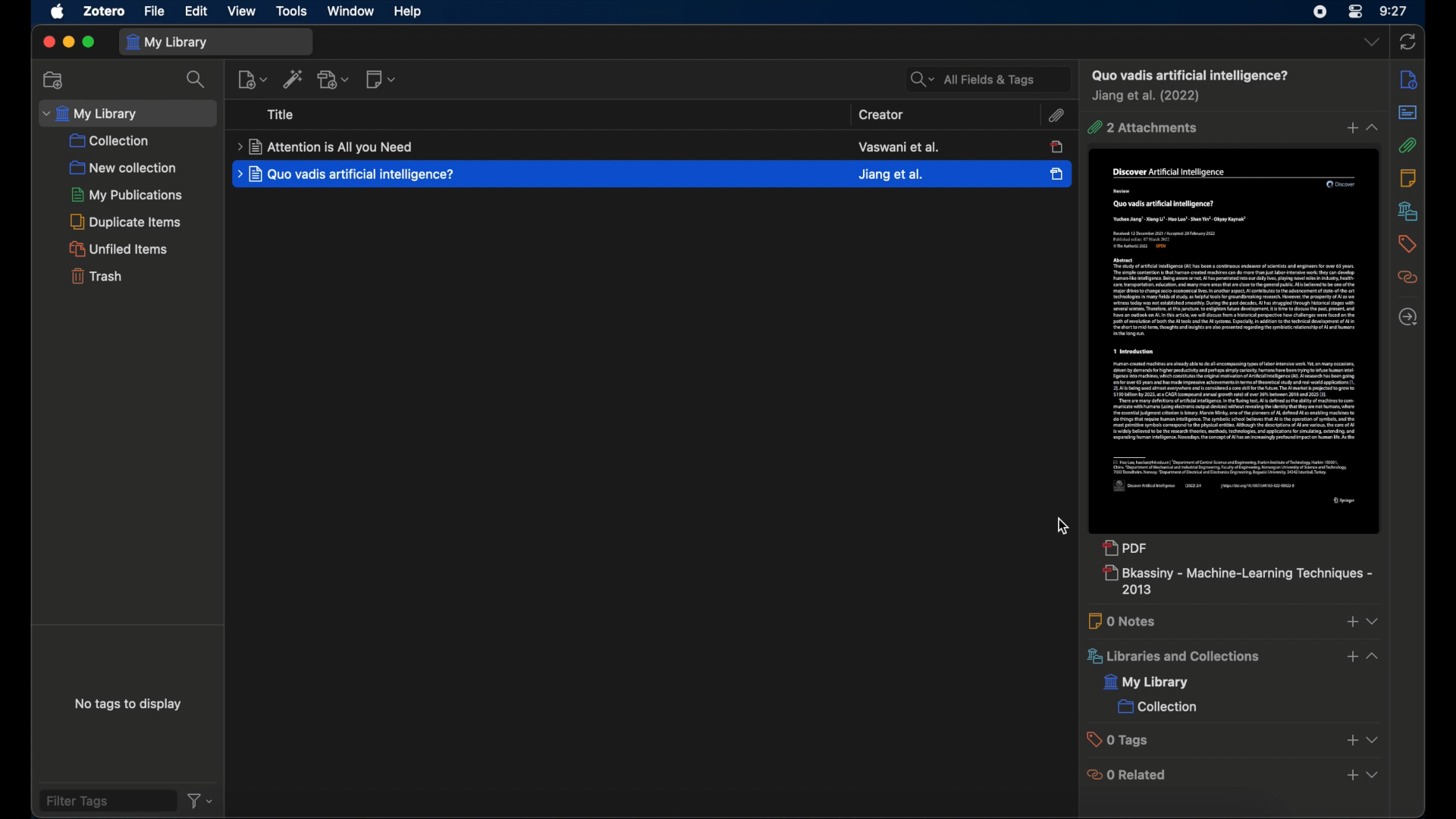  I want to click on time, so click(1394, 11).